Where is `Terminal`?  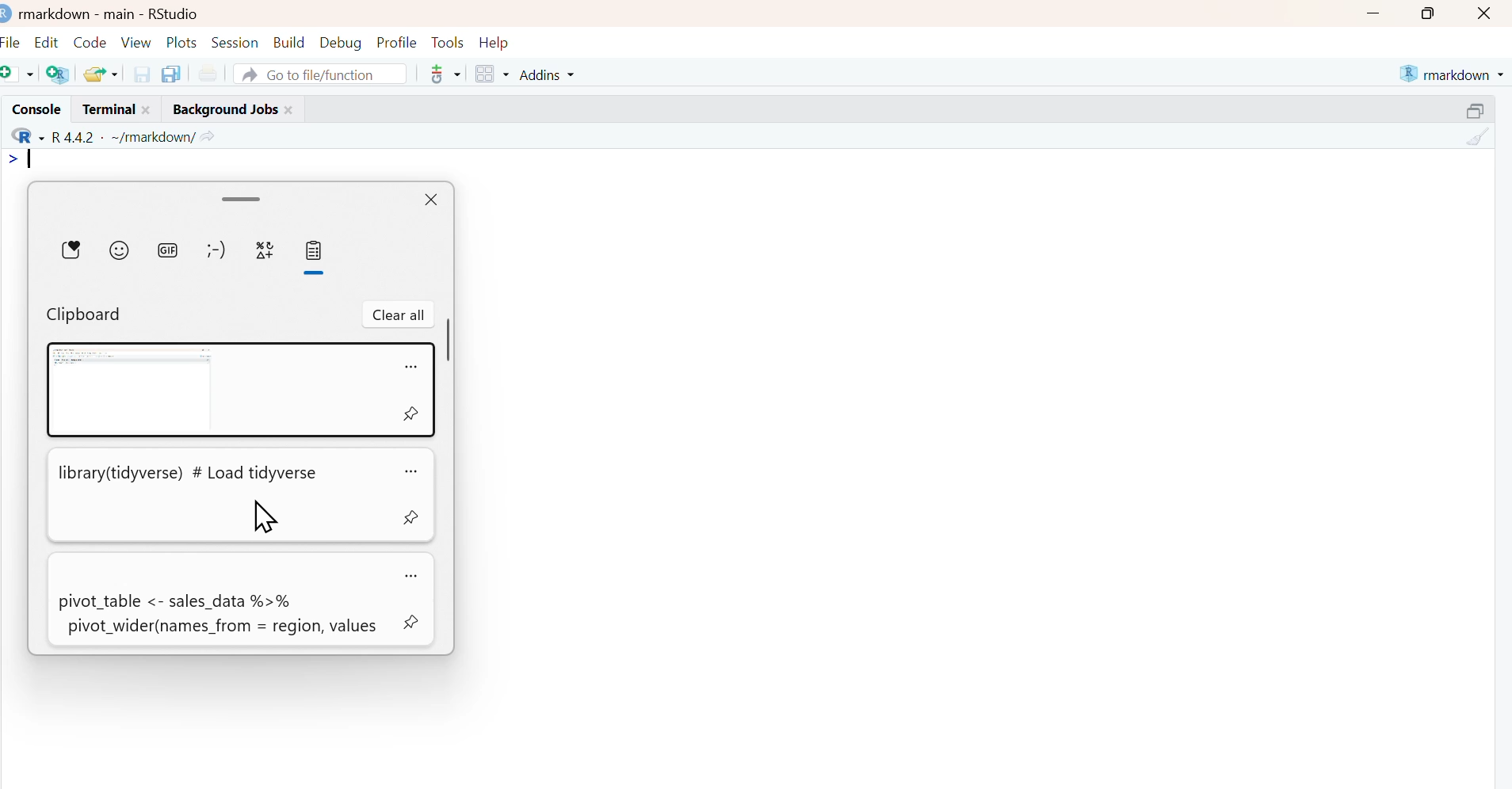 Terminal is located at coordinates (105, 109).